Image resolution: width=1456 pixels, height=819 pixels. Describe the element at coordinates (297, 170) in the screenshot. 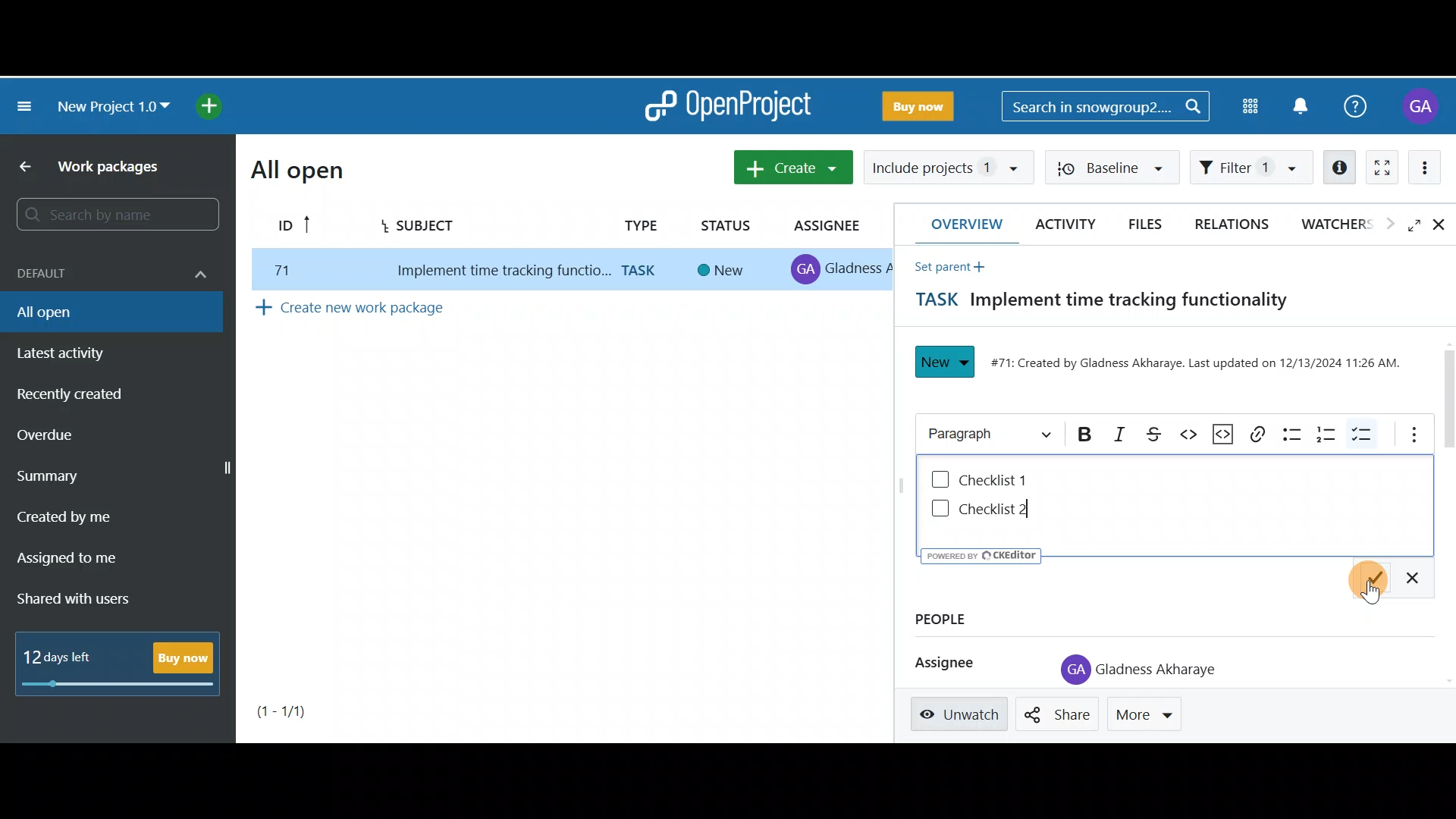

I see `All open` at that location.